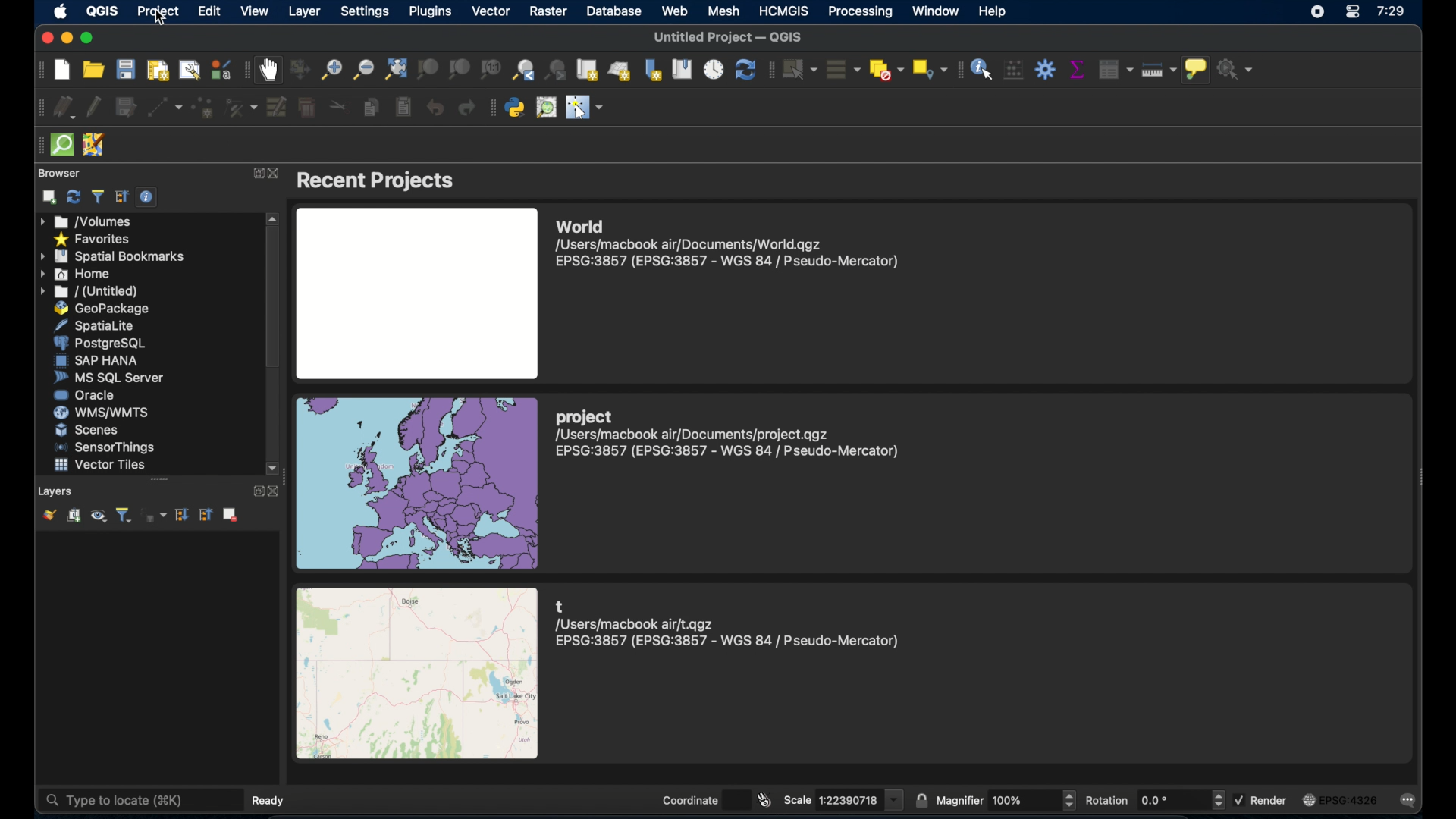  Describe the element at coordinates (99, 343) in the screenshot. I see `postgresql` at that location.